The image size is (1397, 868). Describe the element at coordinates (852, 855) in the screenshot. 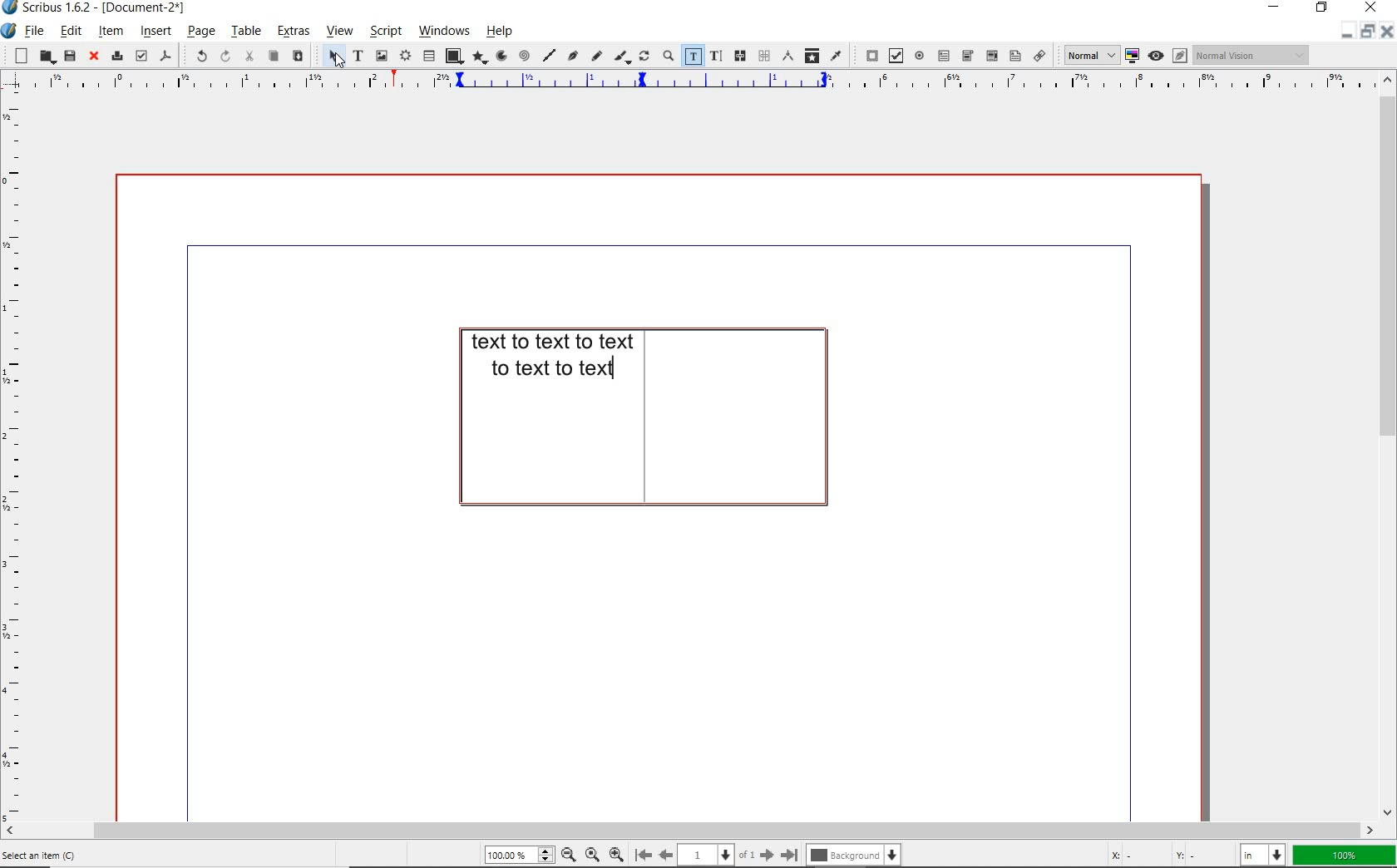

I see `background ` at that location.